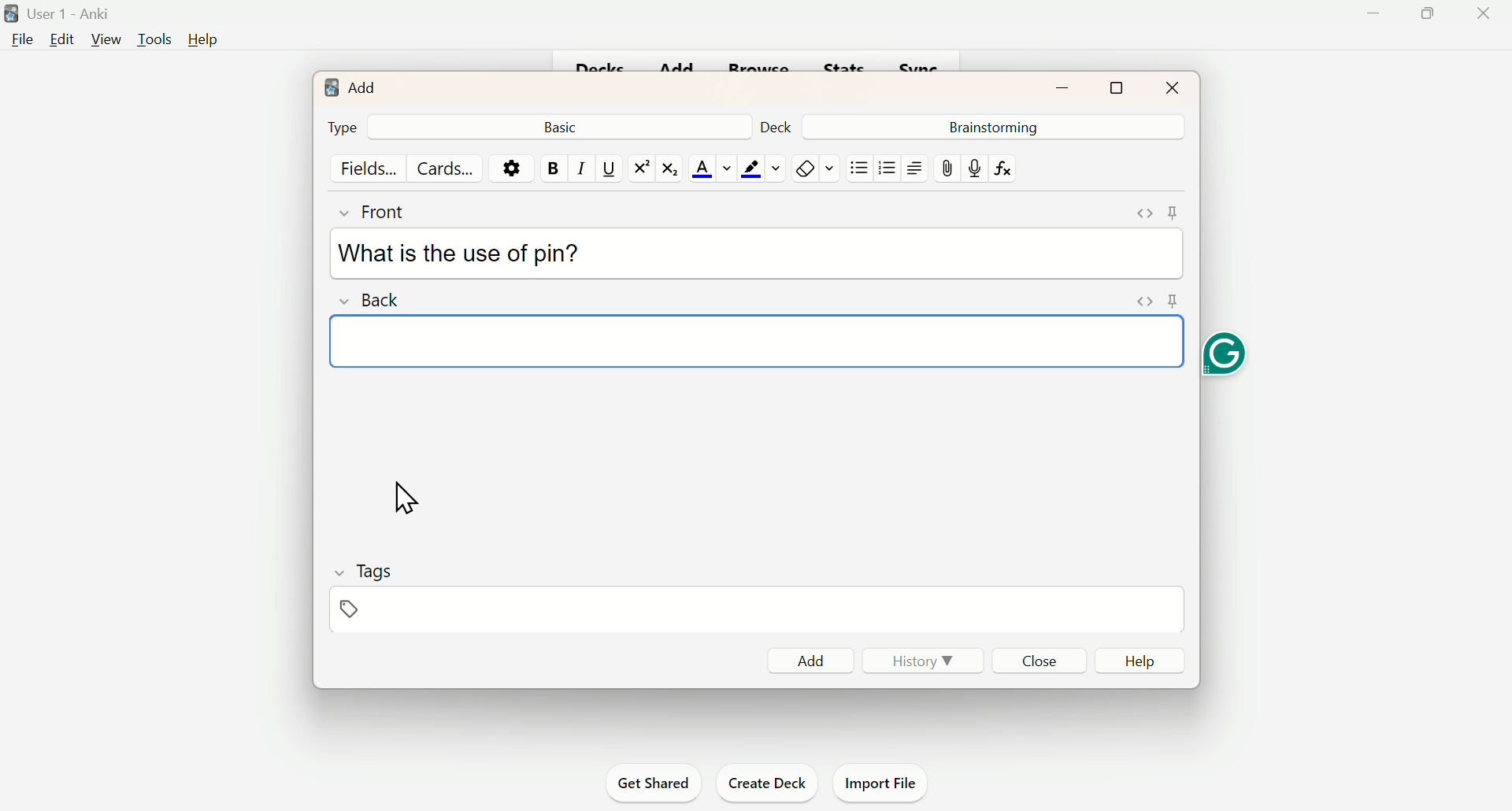  What do you see at coordinates (1371, 19) in the screenshot?
I see `Minimise` at bounding box center [1371, 19].